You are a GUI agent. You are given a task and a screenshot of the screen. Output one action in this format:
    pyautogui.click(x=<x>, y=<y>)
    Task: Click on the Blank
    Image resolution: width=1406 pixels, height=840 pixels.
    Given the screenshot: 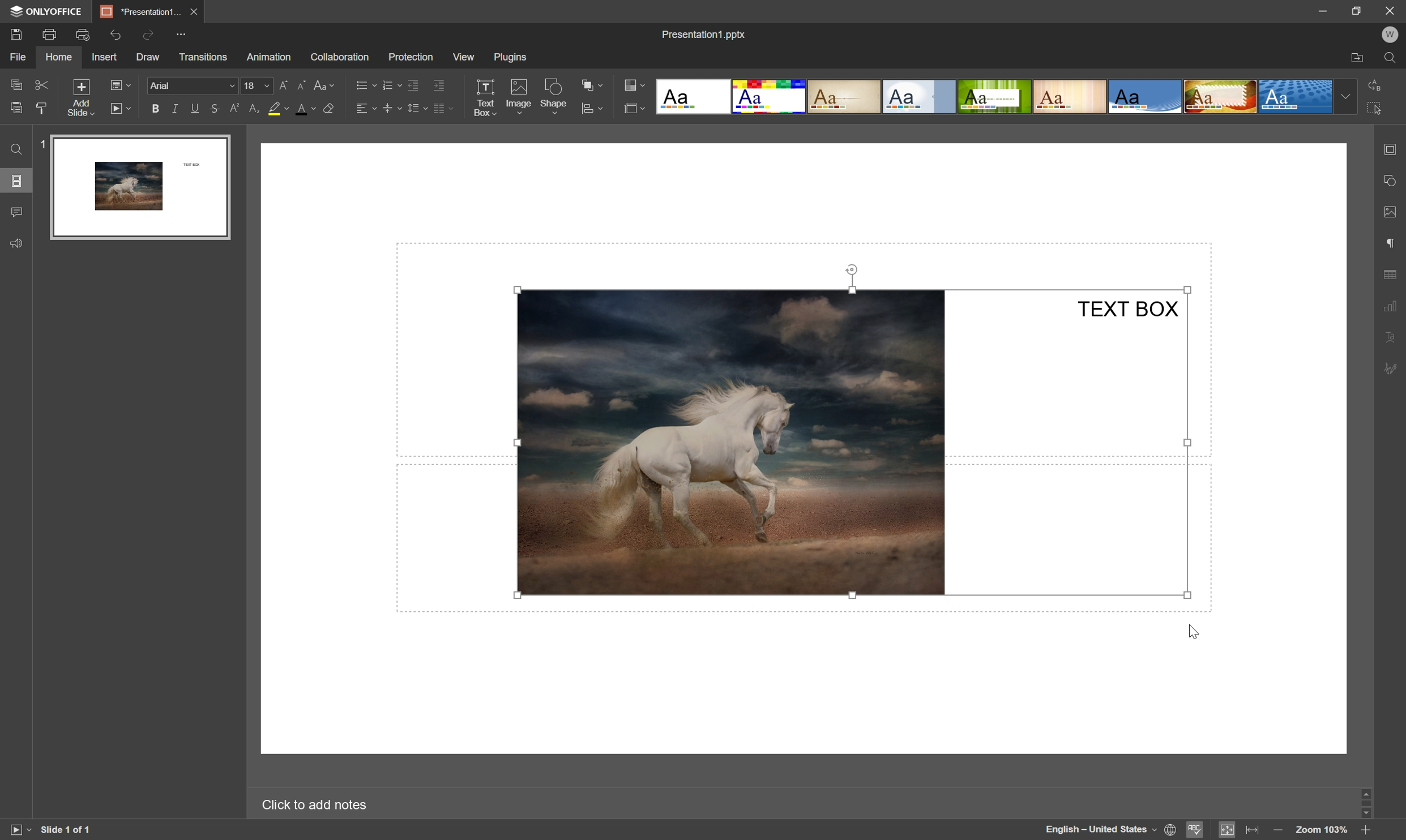 What is the action you would take?
    pyautogui.click(x=691, y=96)
    